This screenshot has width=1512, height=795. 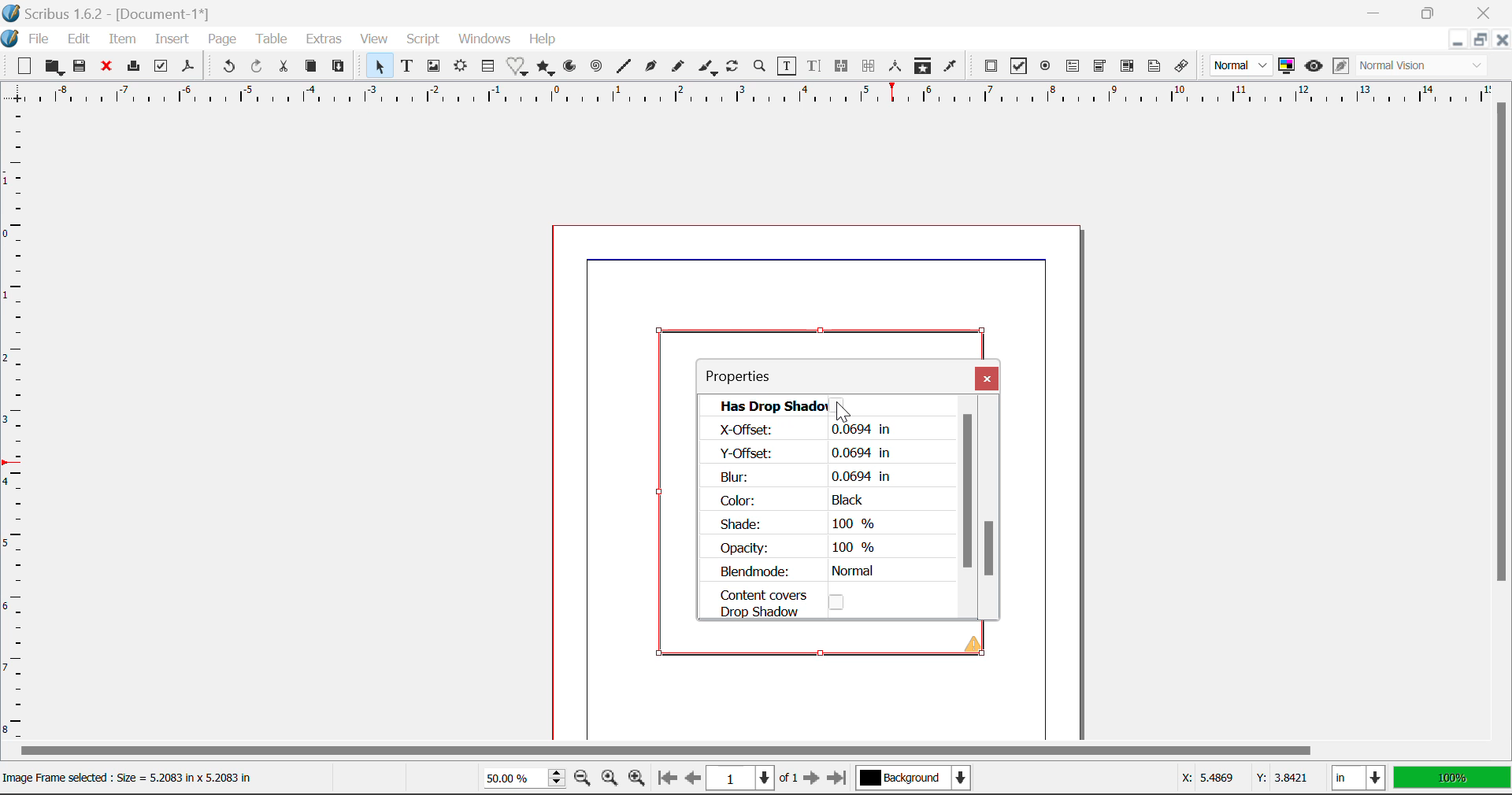 What do you see at coordinates (828, 405) in the screenshot?
I see `Has Drop Shadow` at bounding box center [828, 405].